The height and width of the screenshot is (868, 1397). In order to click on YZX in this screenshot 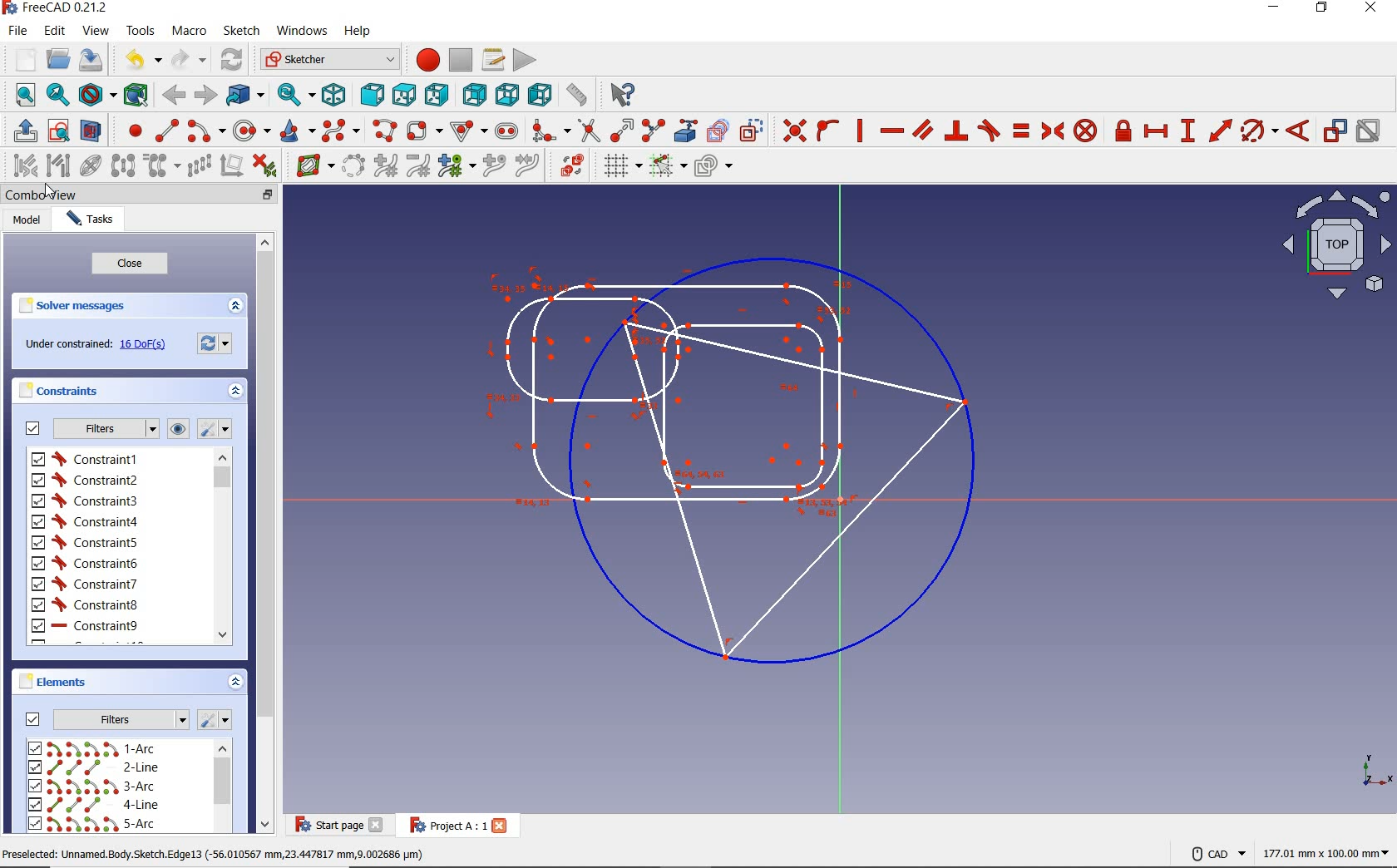, I will do `click(1377, 767)`.